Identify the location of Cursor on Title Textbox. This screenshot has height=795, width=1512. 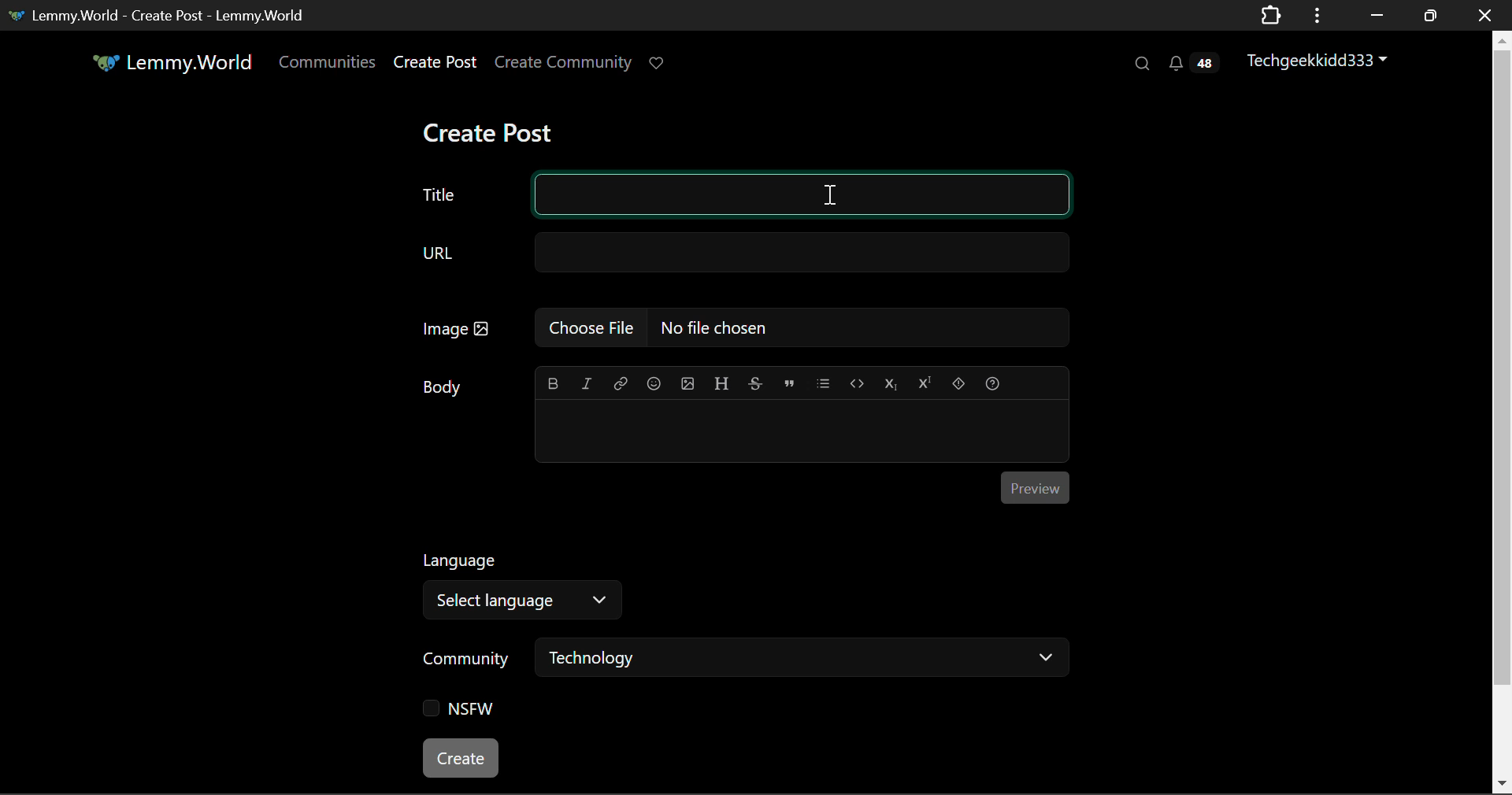
(831, 193).